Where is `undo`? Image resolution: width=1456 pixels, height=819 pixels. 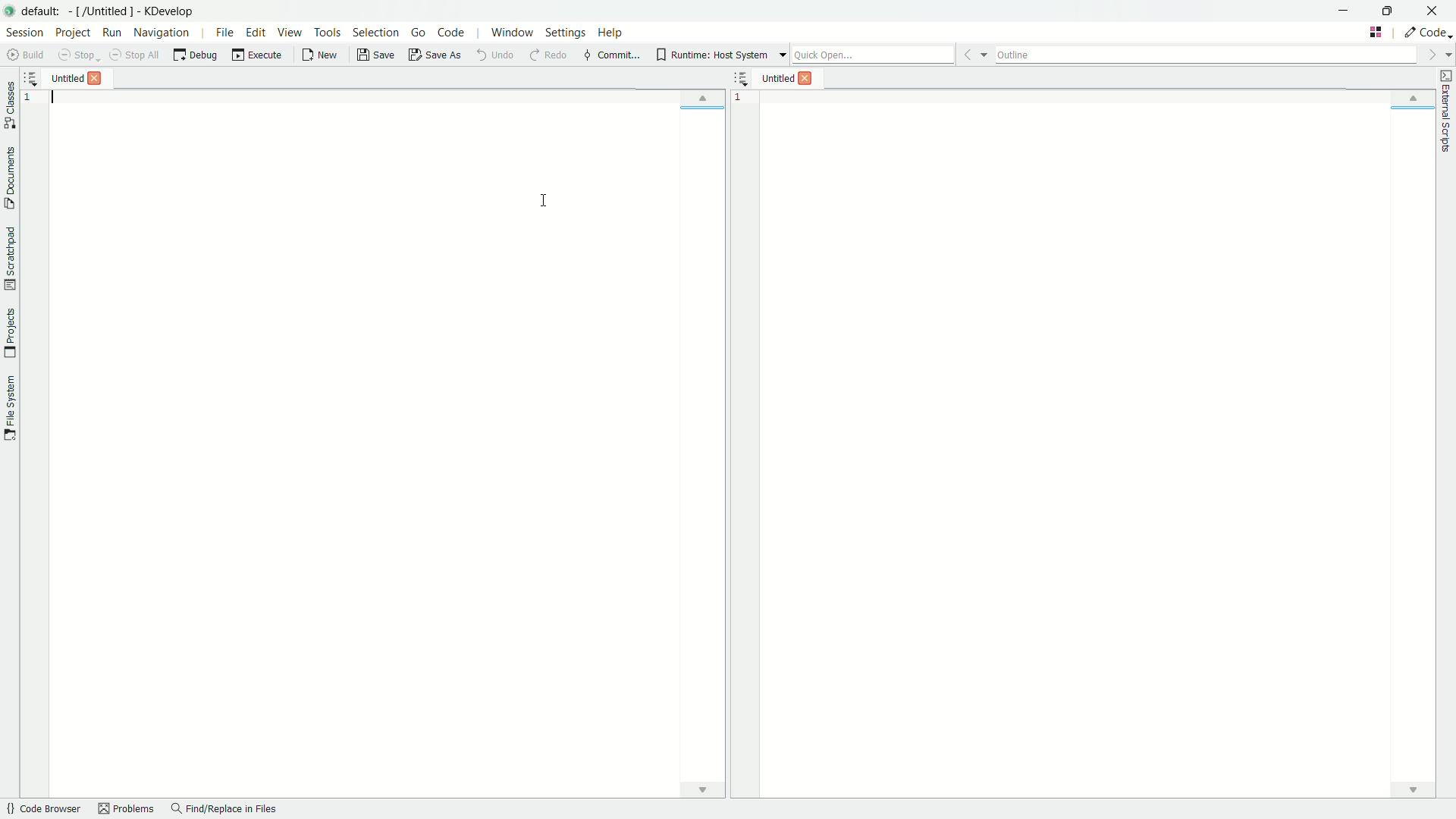 undo is located at coordinates (494, 55).